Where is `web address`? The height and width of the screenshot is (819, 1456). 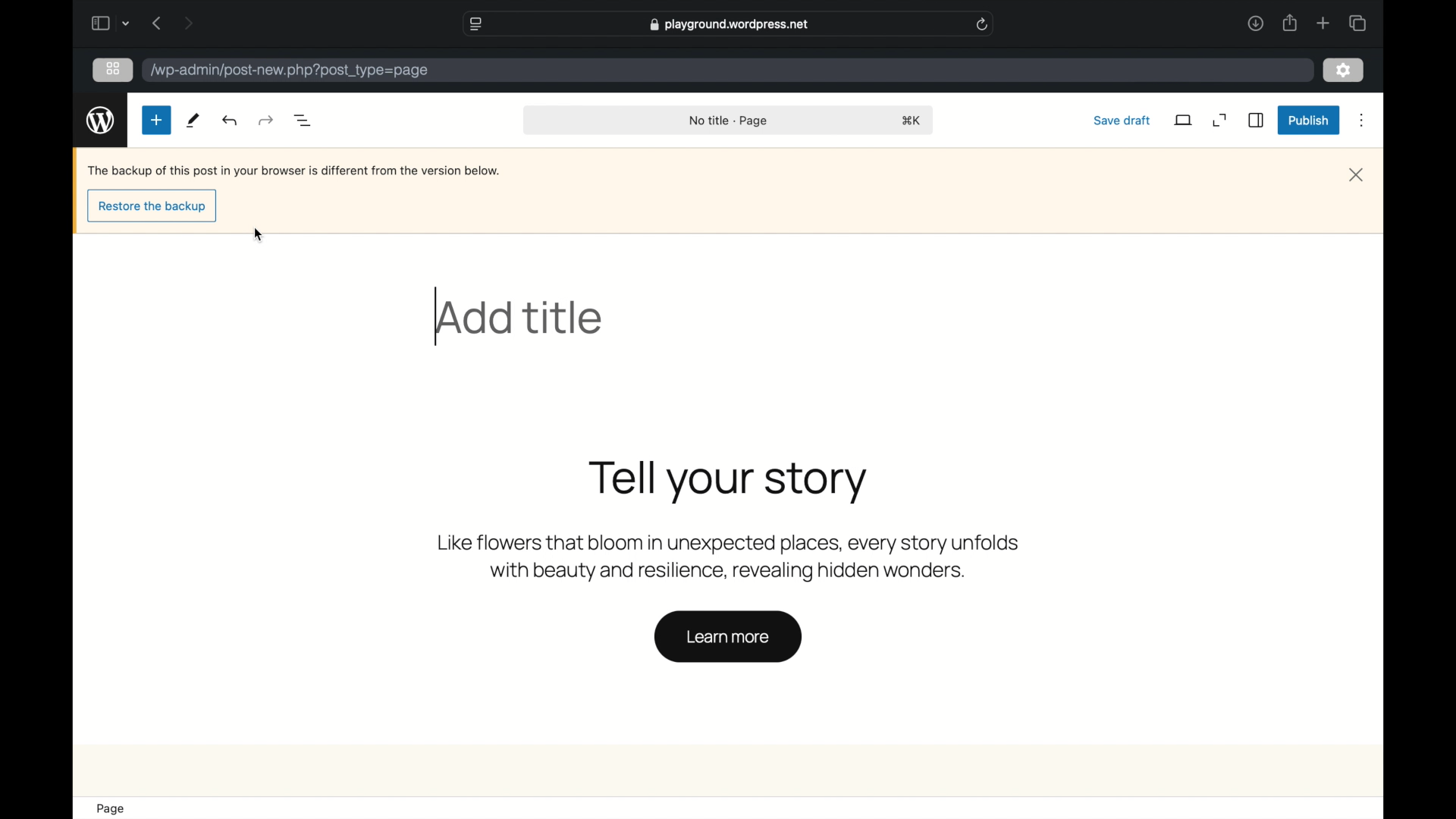
web address is located at coordinates (731, 24).